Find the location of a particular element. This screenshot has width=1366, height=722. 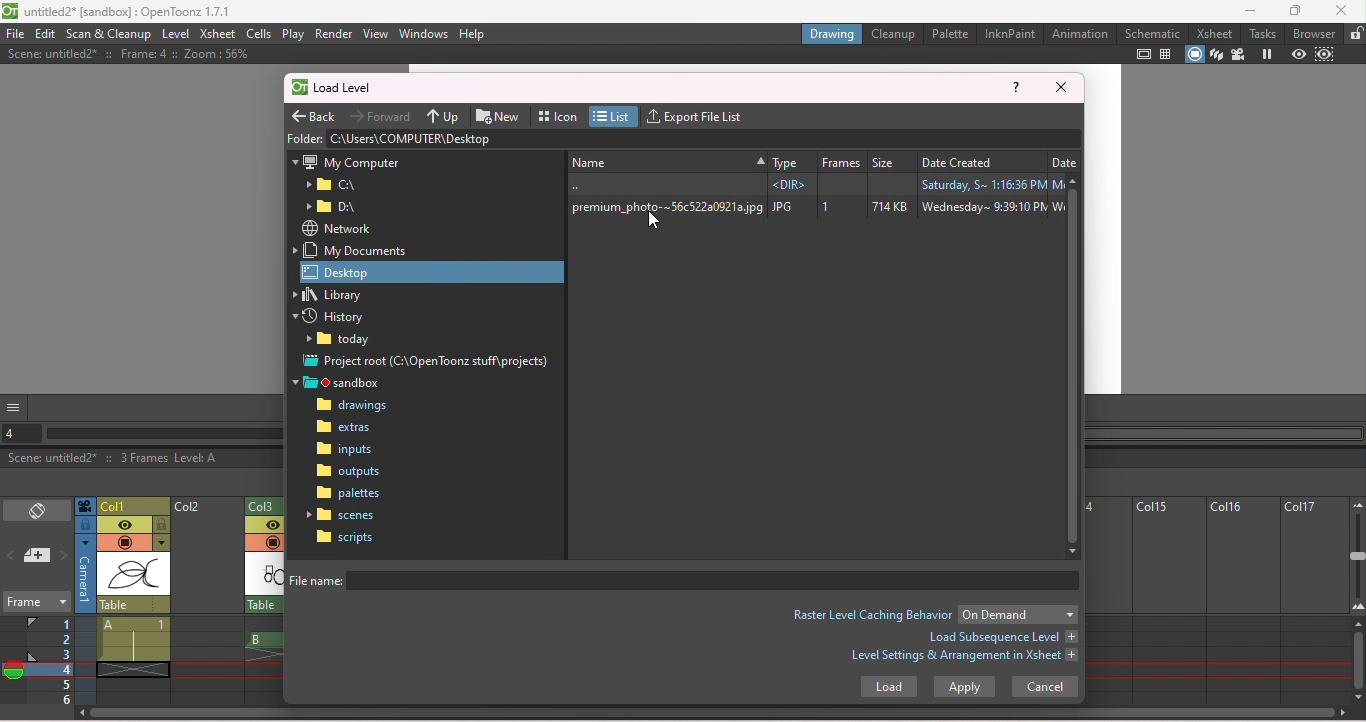

Folder is located at coordinates (304, 137).